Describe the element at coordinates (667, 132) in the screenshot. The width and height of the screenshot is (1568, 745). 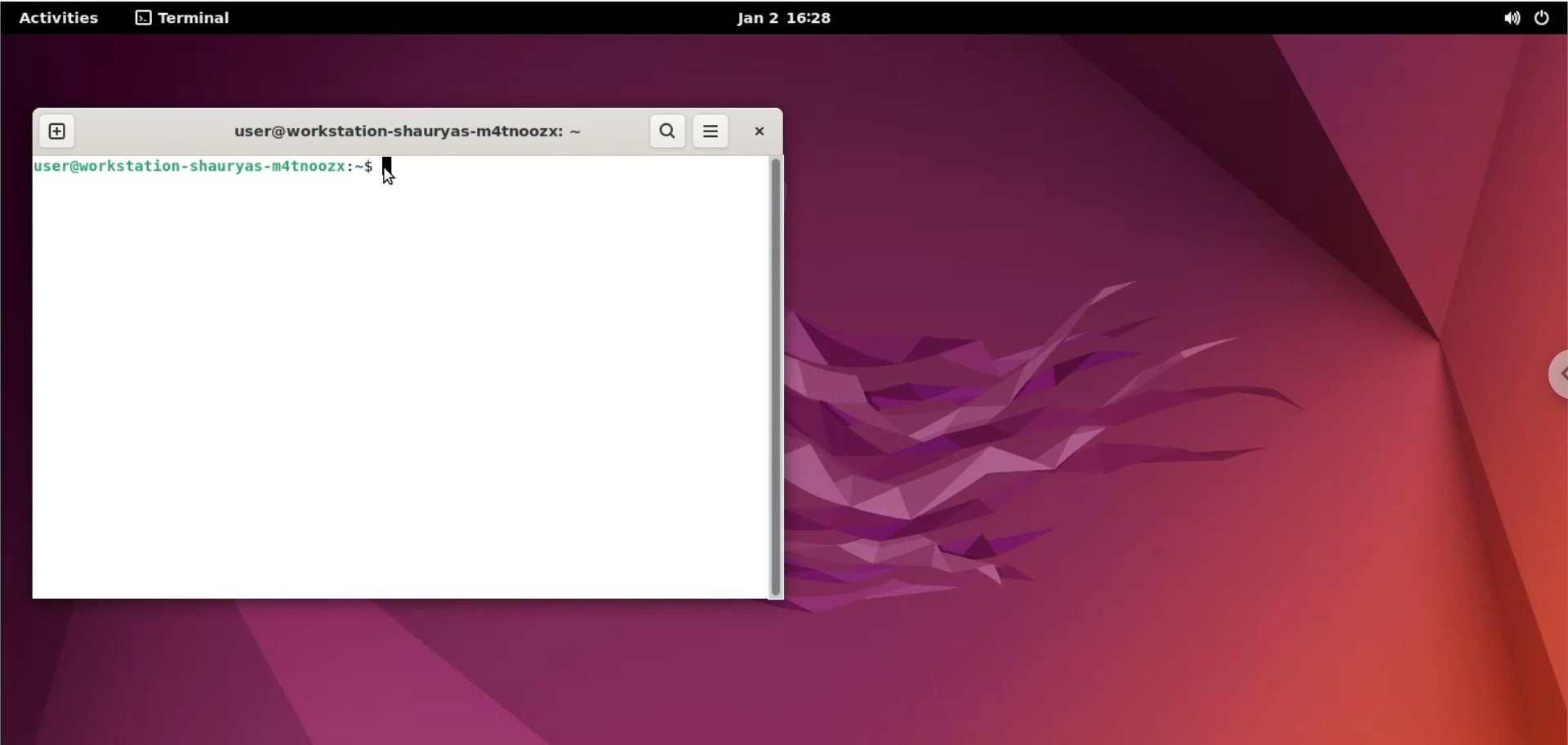
I see `search` at that location.